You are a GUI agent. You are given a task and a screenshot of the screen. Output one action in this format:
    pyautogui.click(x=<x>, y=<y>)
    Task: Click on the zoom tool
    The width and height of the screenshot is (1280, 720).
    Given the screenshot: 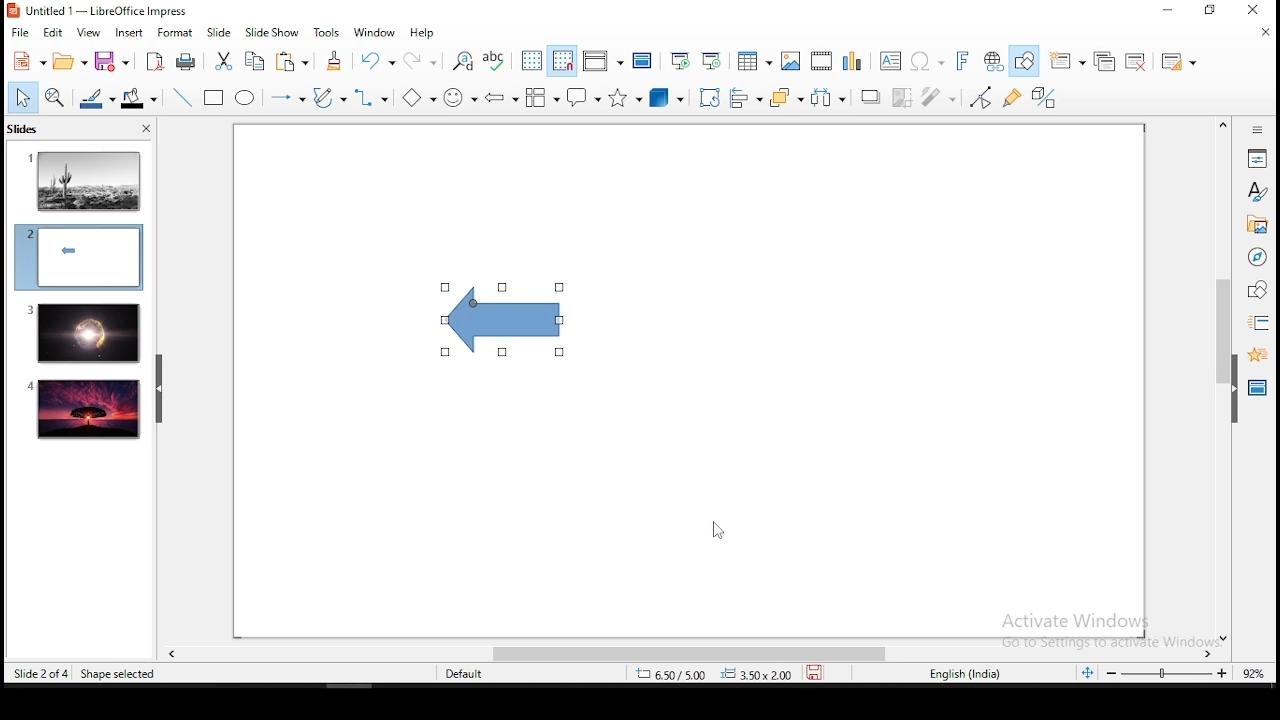 What is the action you would take?
    pyautogui.click(x=55, y=99)
    